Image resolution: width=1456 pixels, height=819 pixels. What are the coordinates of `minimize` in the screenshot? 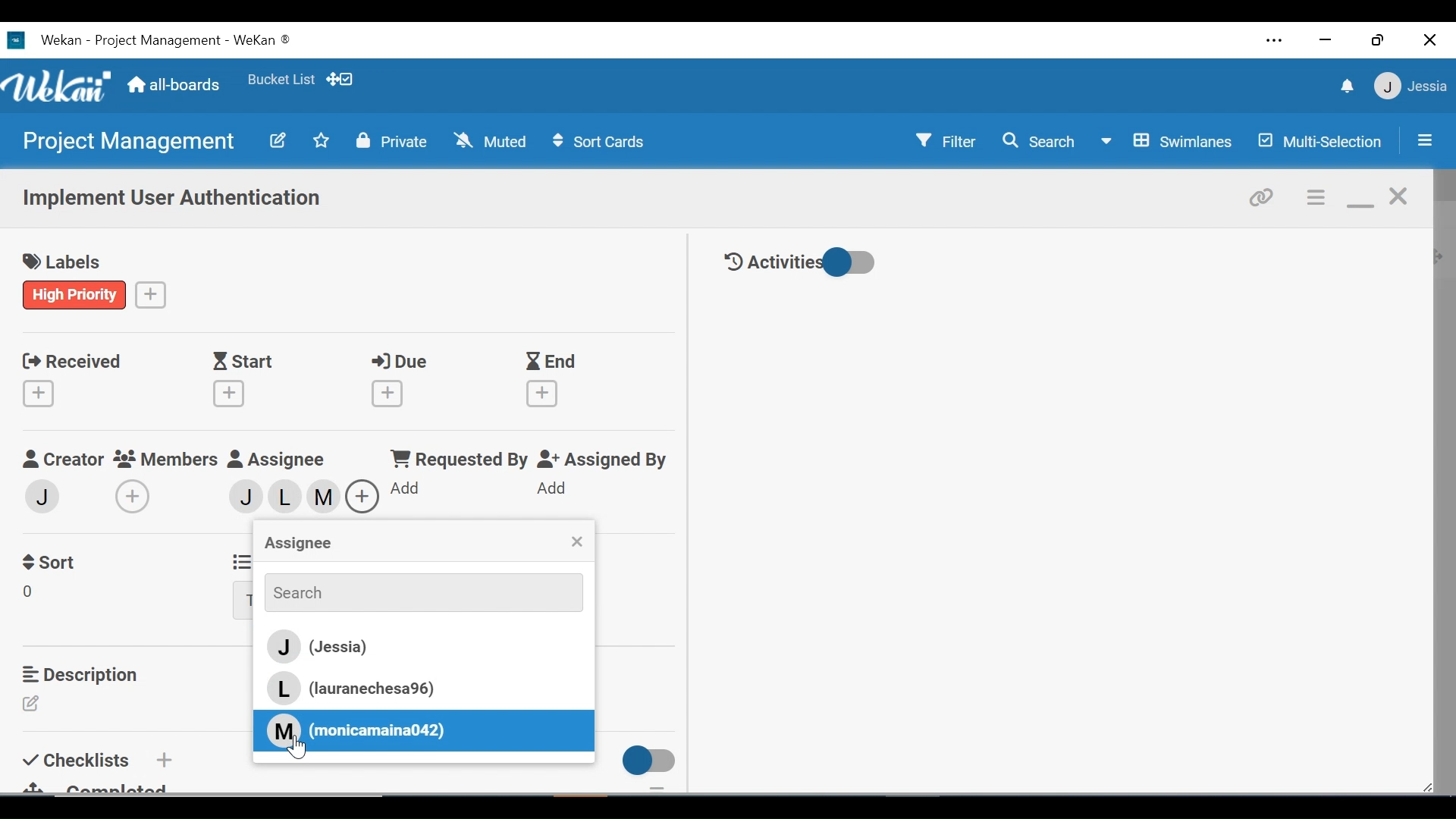 It's located at (1323, 41).